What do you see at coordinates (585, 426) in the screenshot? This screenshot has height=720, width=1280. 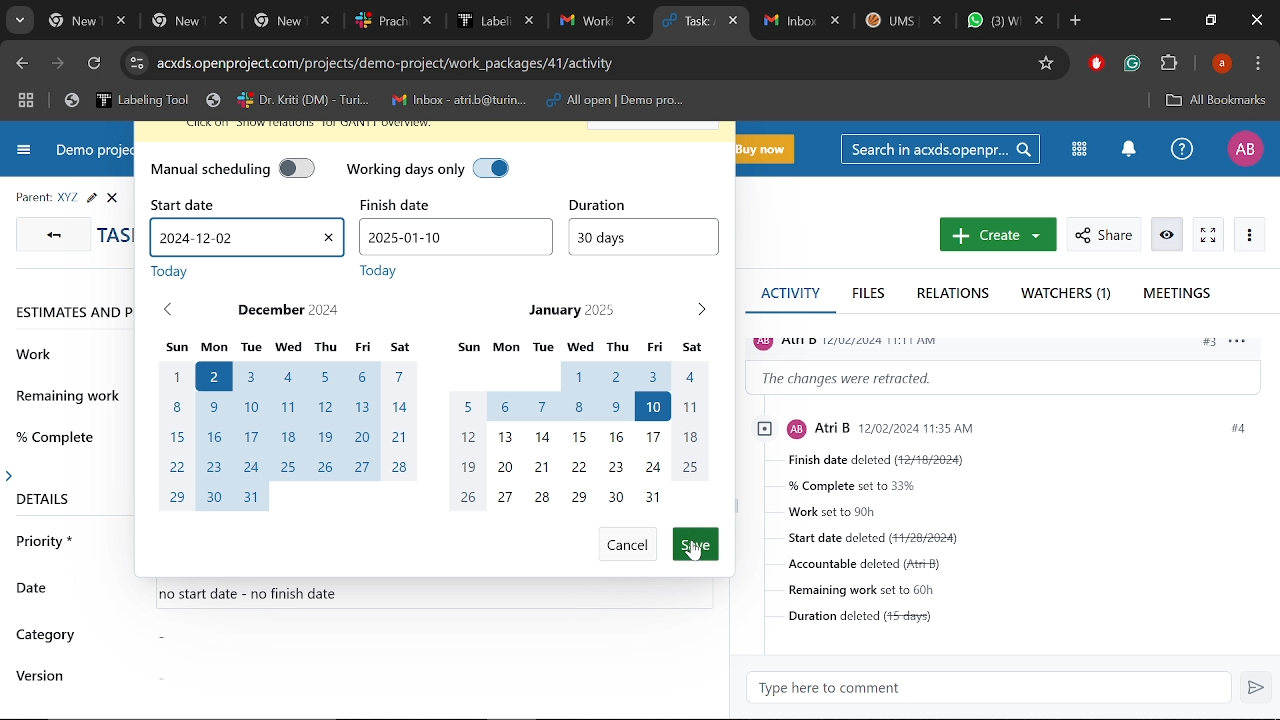 I see `Month of January` at bounding box center [585, 426].